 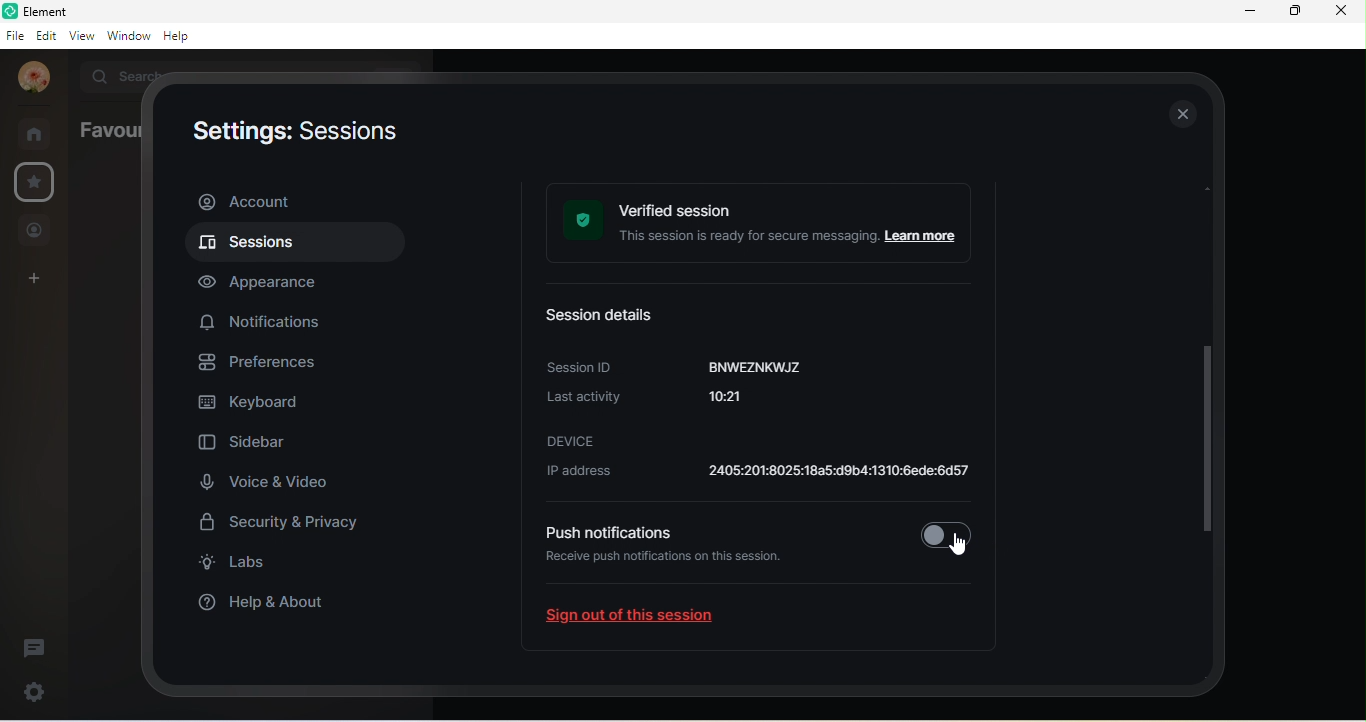 What do you see at coordinates (572, 440) in the screenshot?
I see `device` at bounding box center [572, 440].